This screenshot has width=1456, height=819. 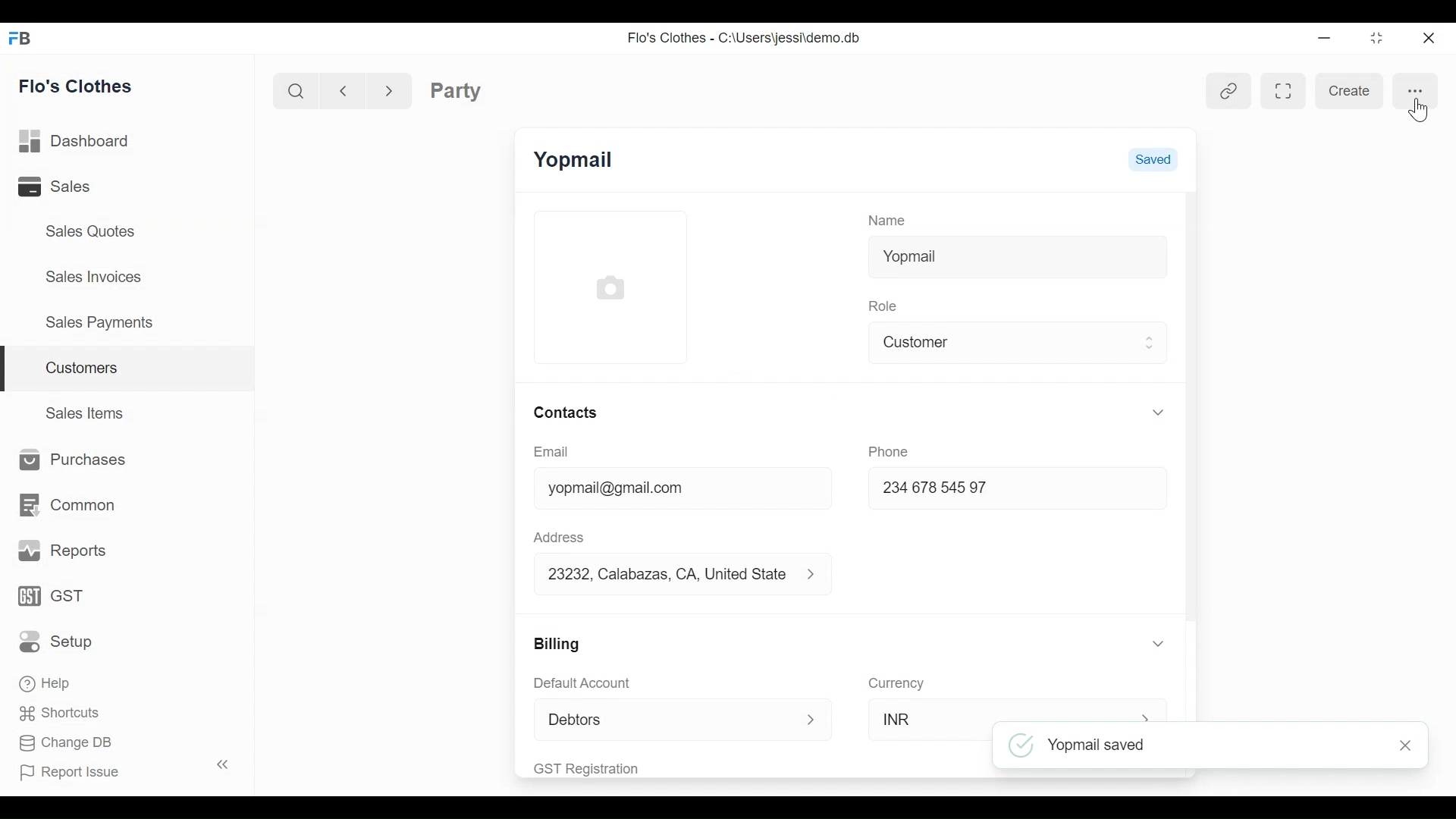 What do you see at coordinates (1147, 714) in the screenshot?
I see `Expand` at bounding box center [1147, 714].